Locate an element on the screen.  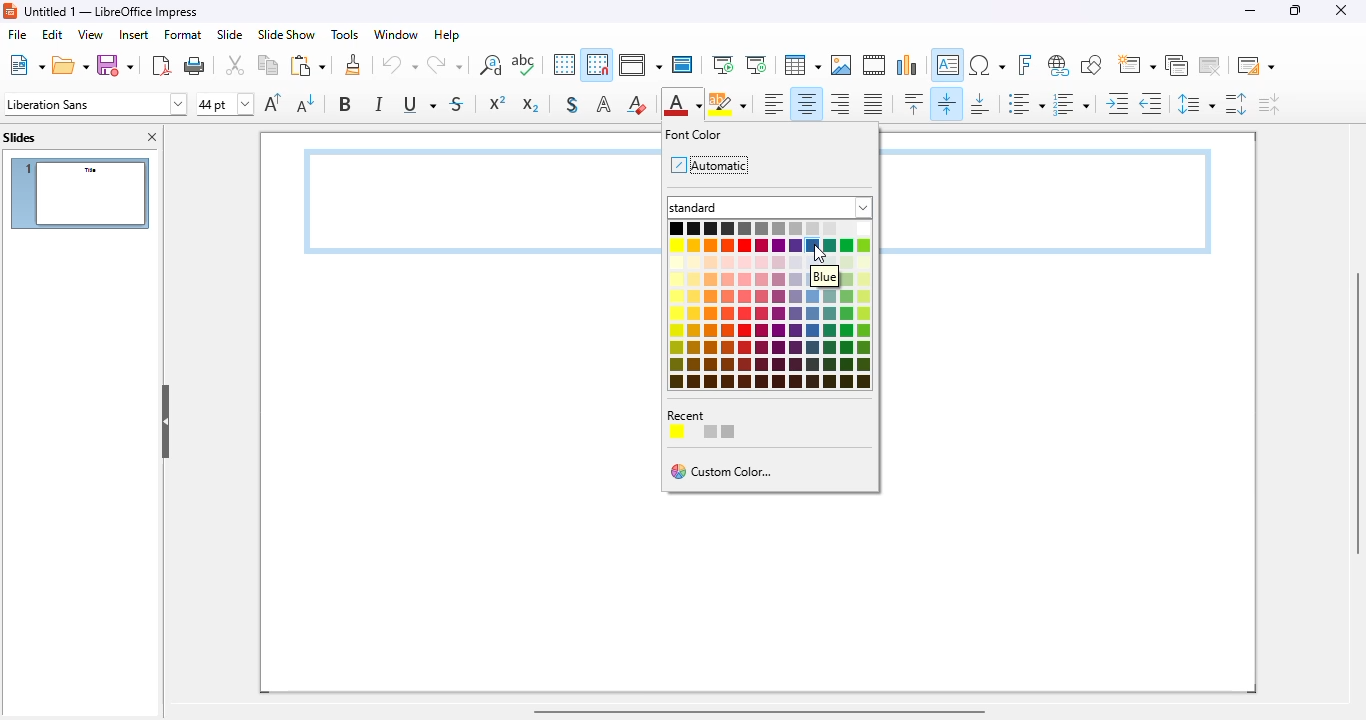
slide 1 is located at coordinates (80, 193).